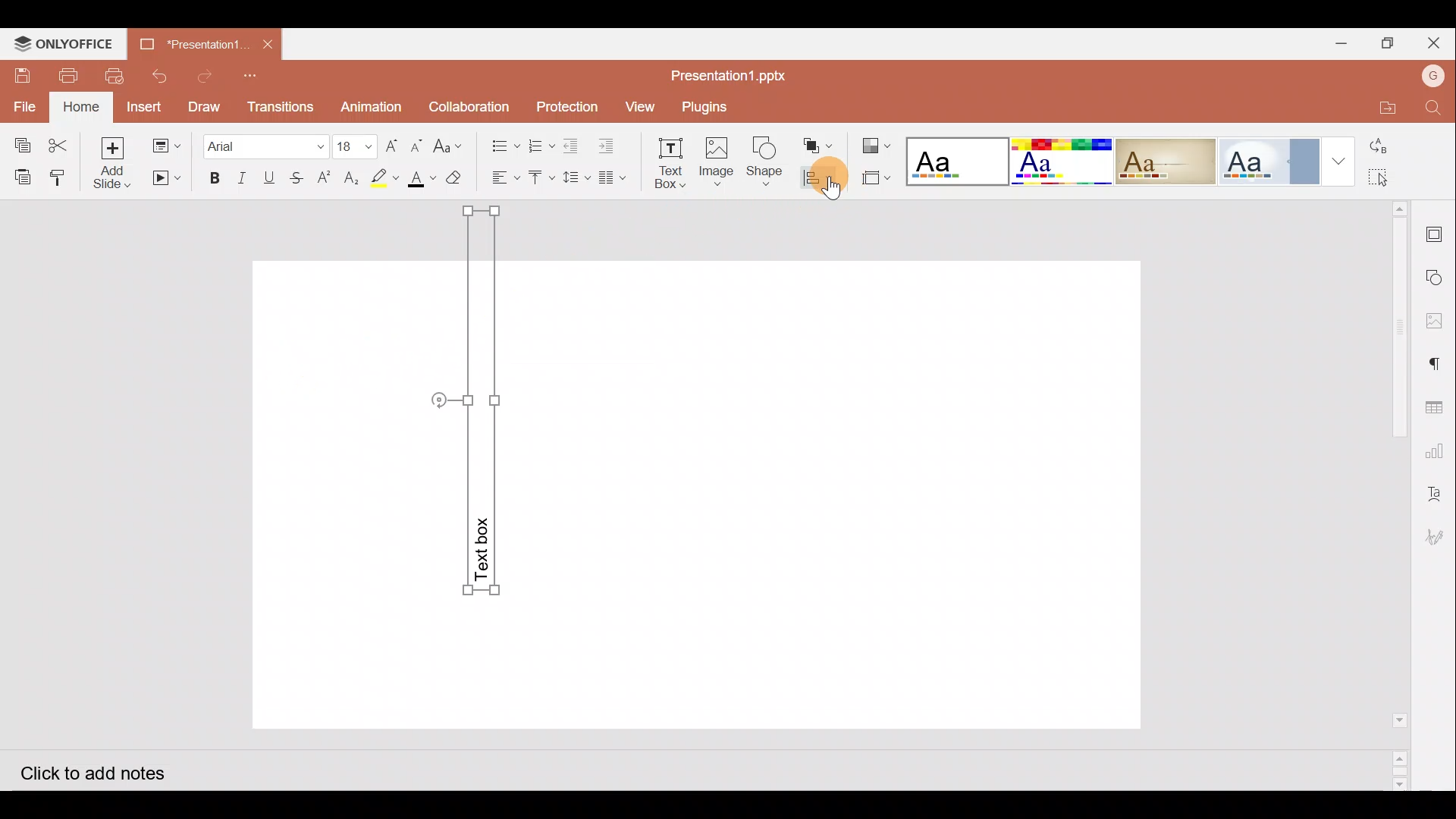 This screenshot has height=819, width=1456. What do you see at coordinates (573, 145) in the screenshot?
I see `Decrease indent` at bounding box center [573, 145].